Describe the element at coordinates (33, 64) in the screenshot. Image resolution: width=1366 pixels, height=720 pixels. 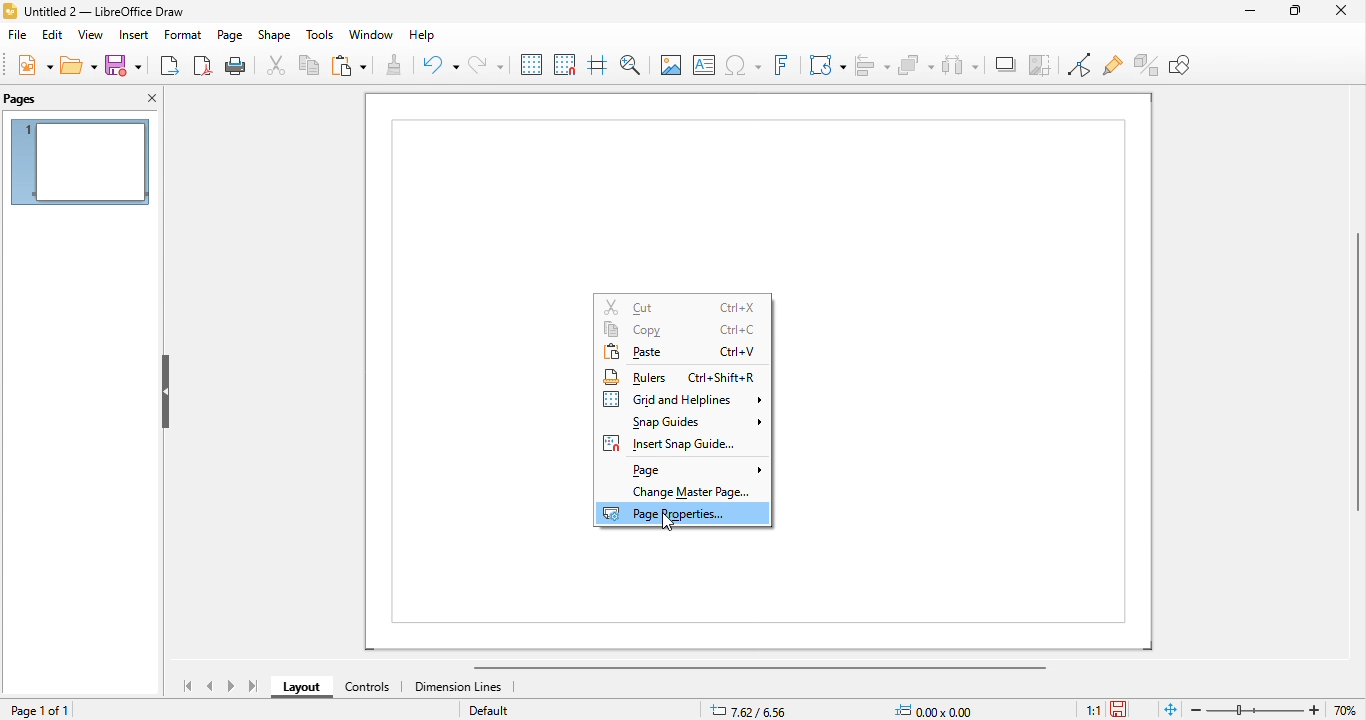
I see `new` at that location.